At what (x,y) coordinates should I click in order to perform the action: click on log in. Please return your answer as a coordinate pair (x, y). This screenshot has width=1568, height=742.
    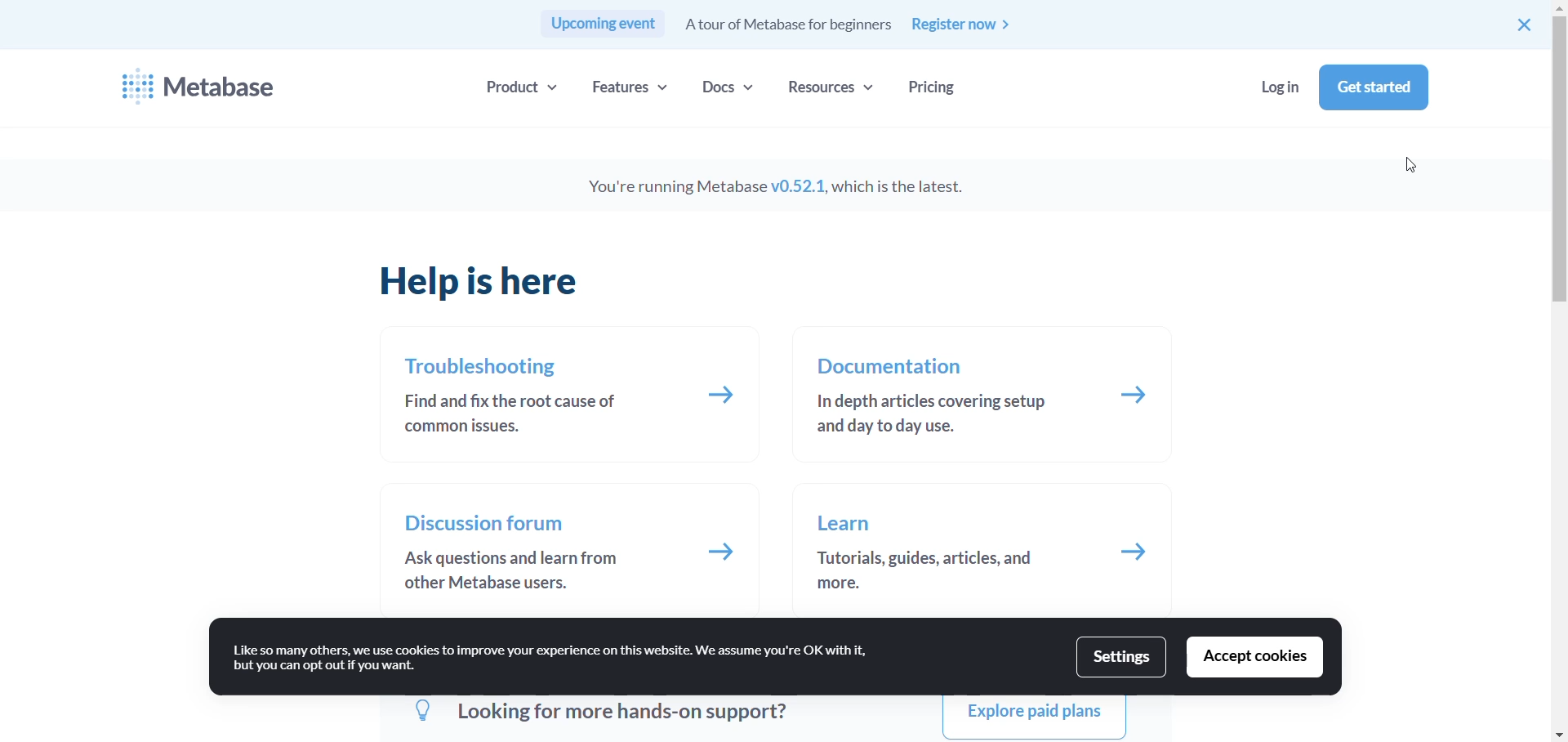
    Looking at the image, I should click on (1281, 87).